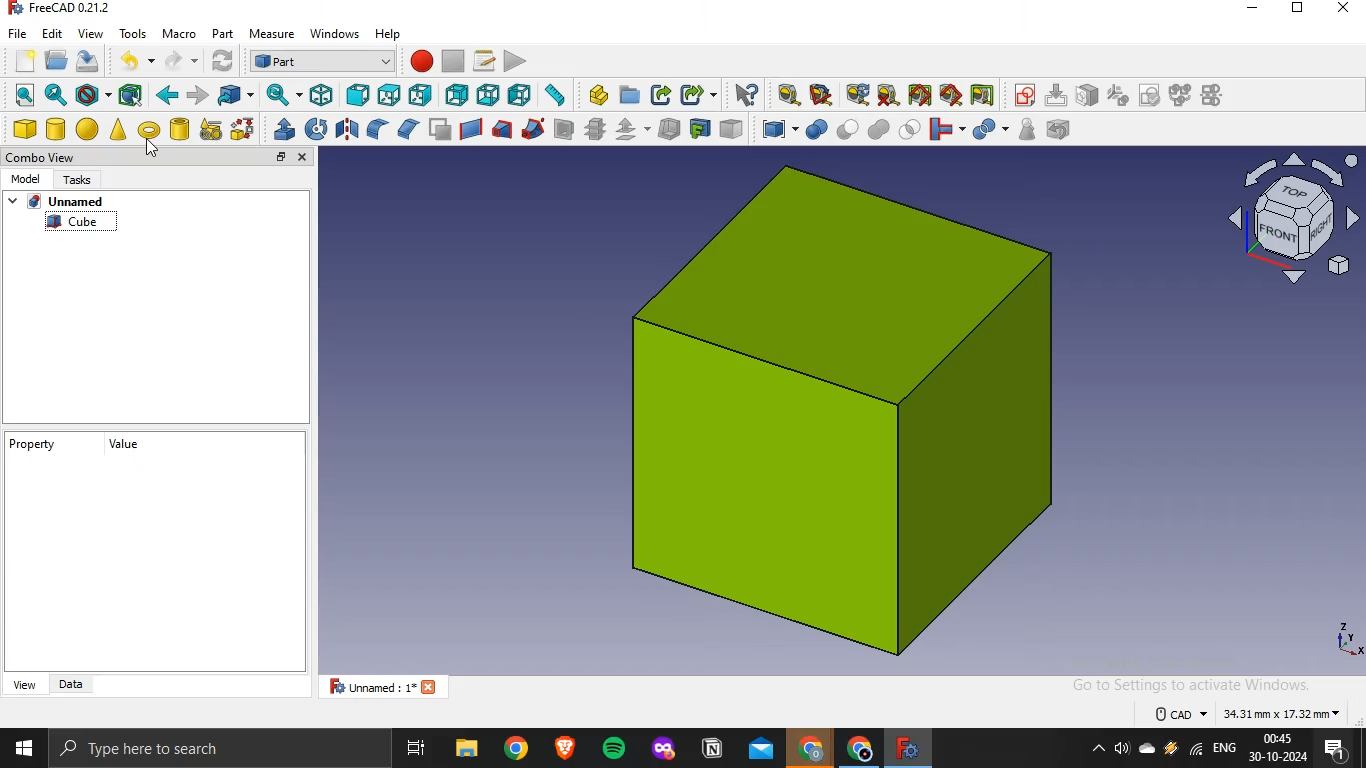 This screenshot has height=768, width=1366. Describe the element at coordinates (454, 61) in the screenshot. I see `stop recording` at that location.